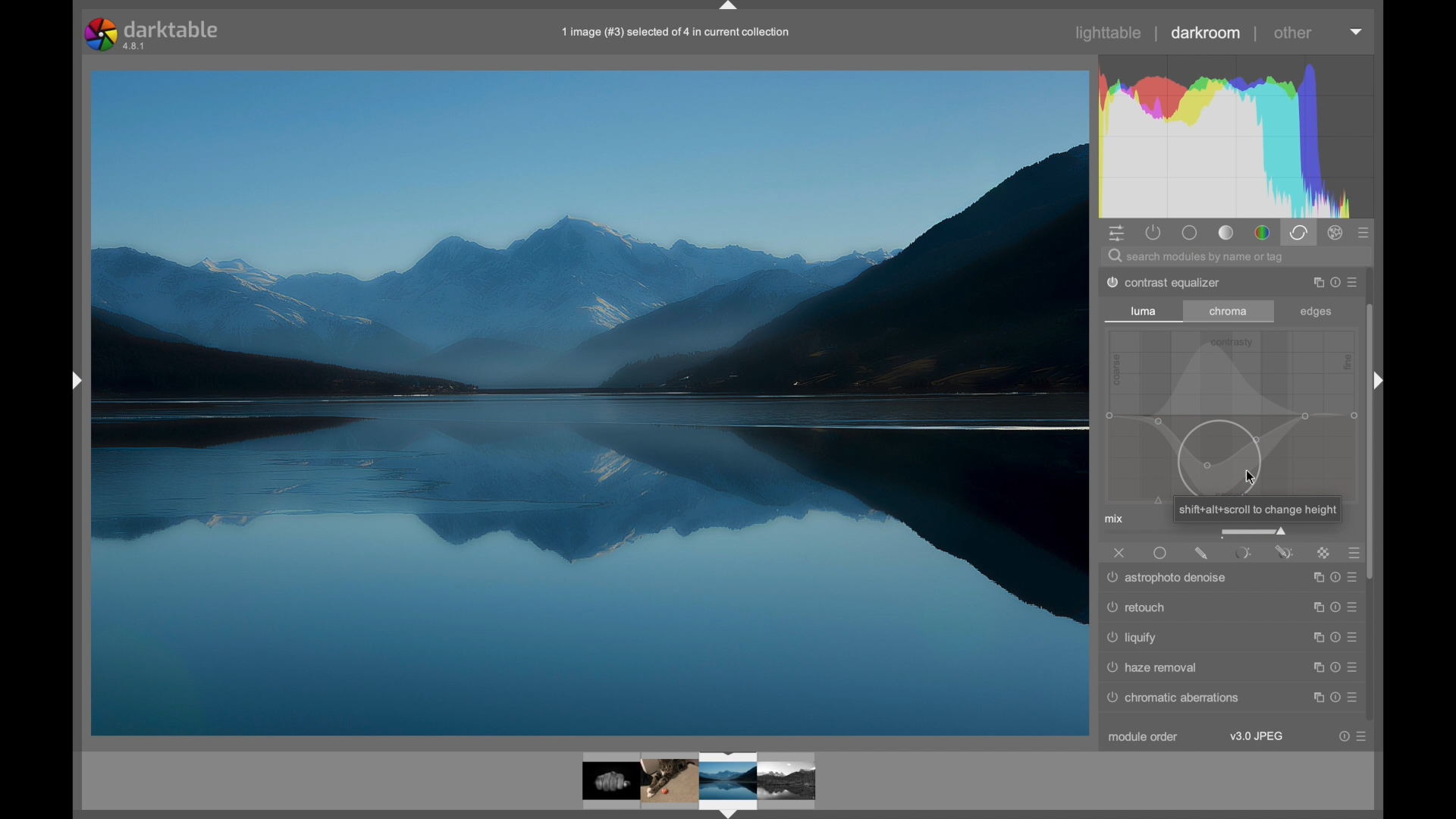 This screenshot has width=1456, height=819. Describe the element at coordinates (1238, 135) in the screenshot. I see `histogram` at that location.